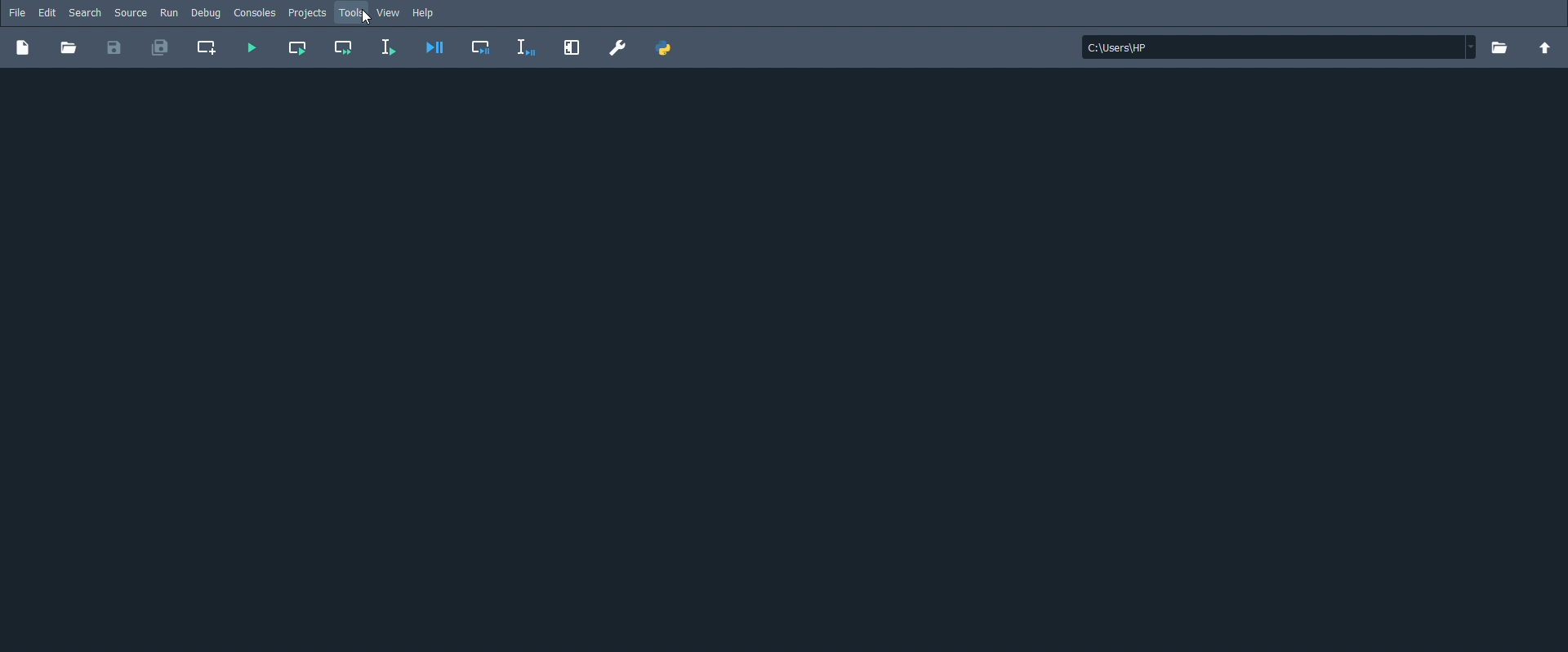 This screenshot has height=652, width=1568. I want to click on Change to parent directory, so click(1547, 48).